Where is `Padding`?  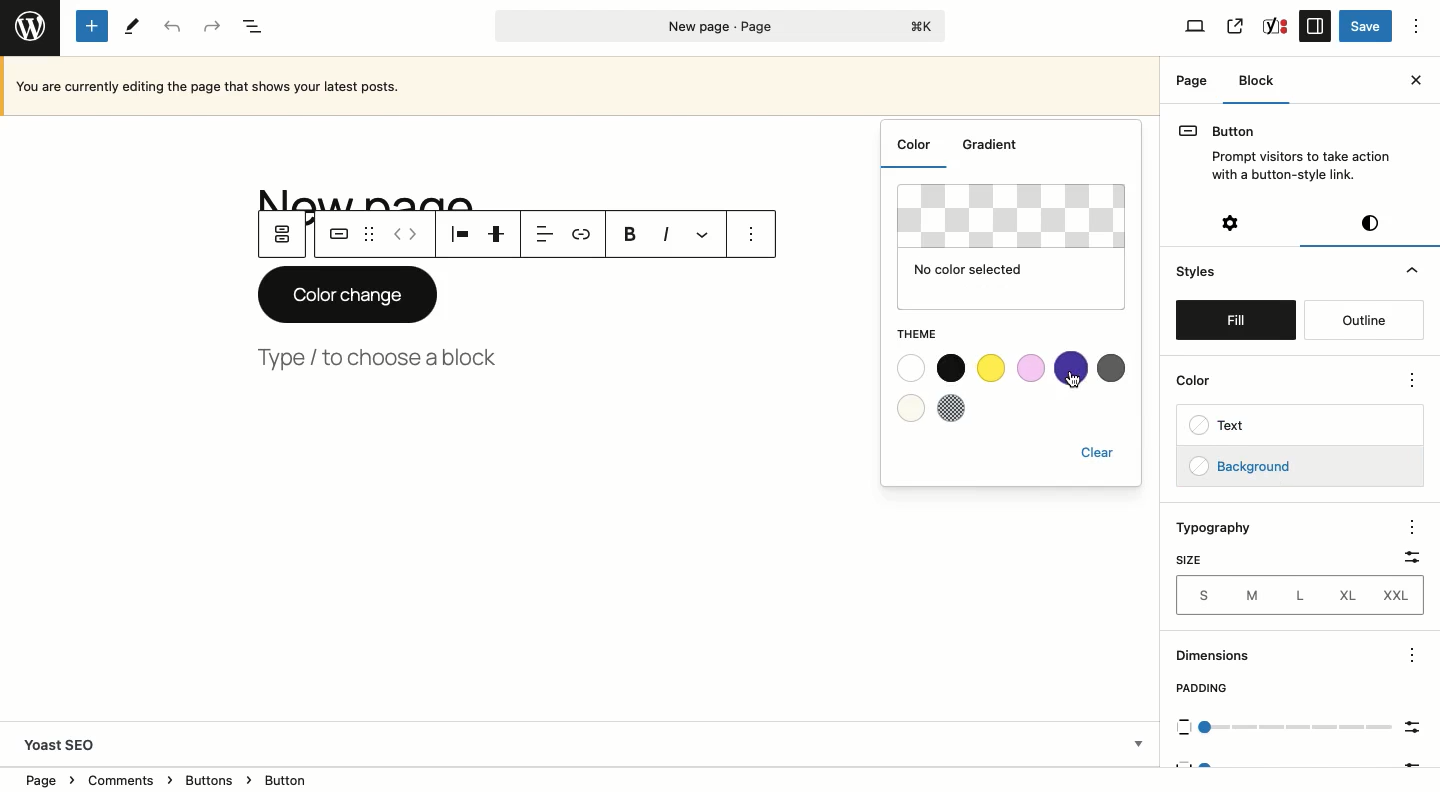
Padding is located at coordinates (1205, 687).